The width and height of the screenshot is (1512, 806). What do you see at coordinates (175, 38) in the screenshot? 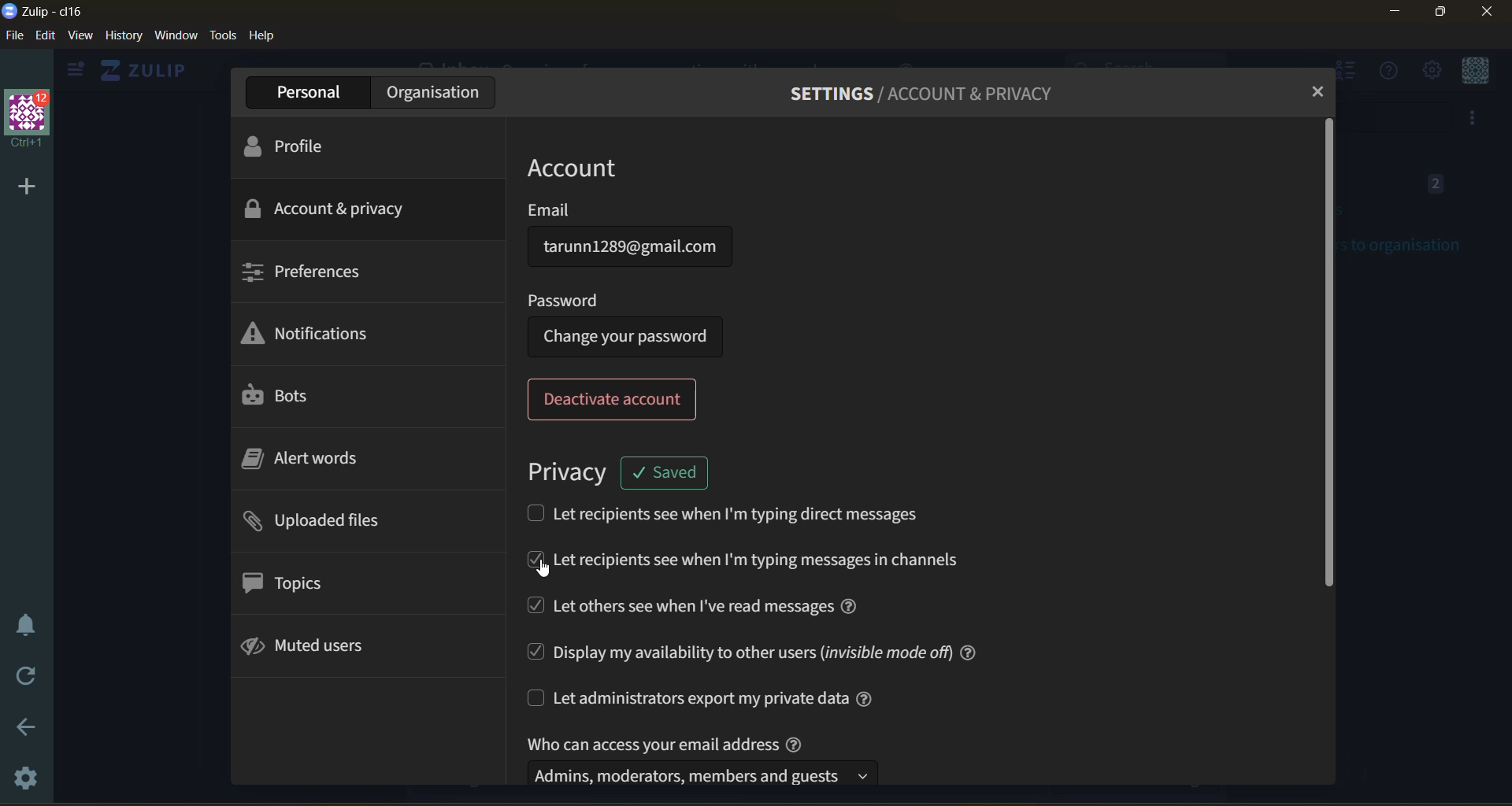
I see `window` at bounding box center [175, 38].